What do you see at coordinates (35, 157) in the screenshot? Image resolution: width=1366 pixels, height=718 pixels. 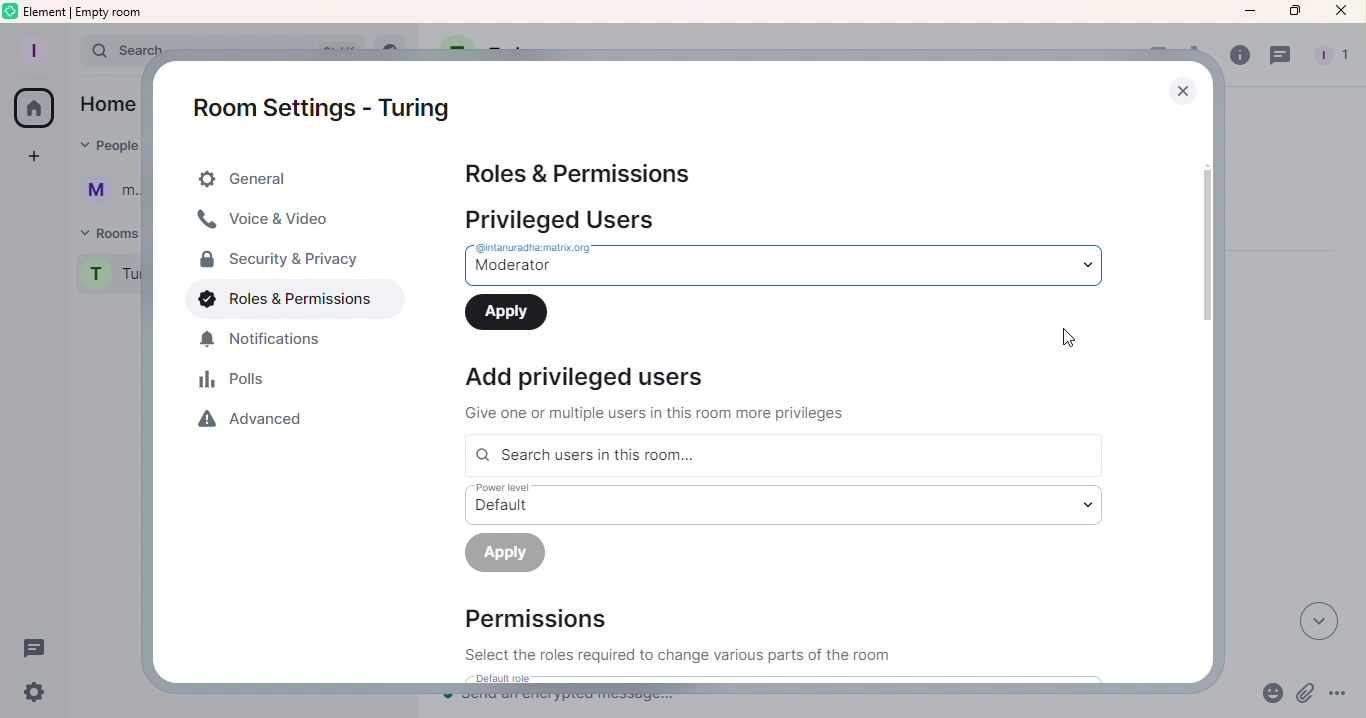 I see `Create space` at bounding box center [35, 157].